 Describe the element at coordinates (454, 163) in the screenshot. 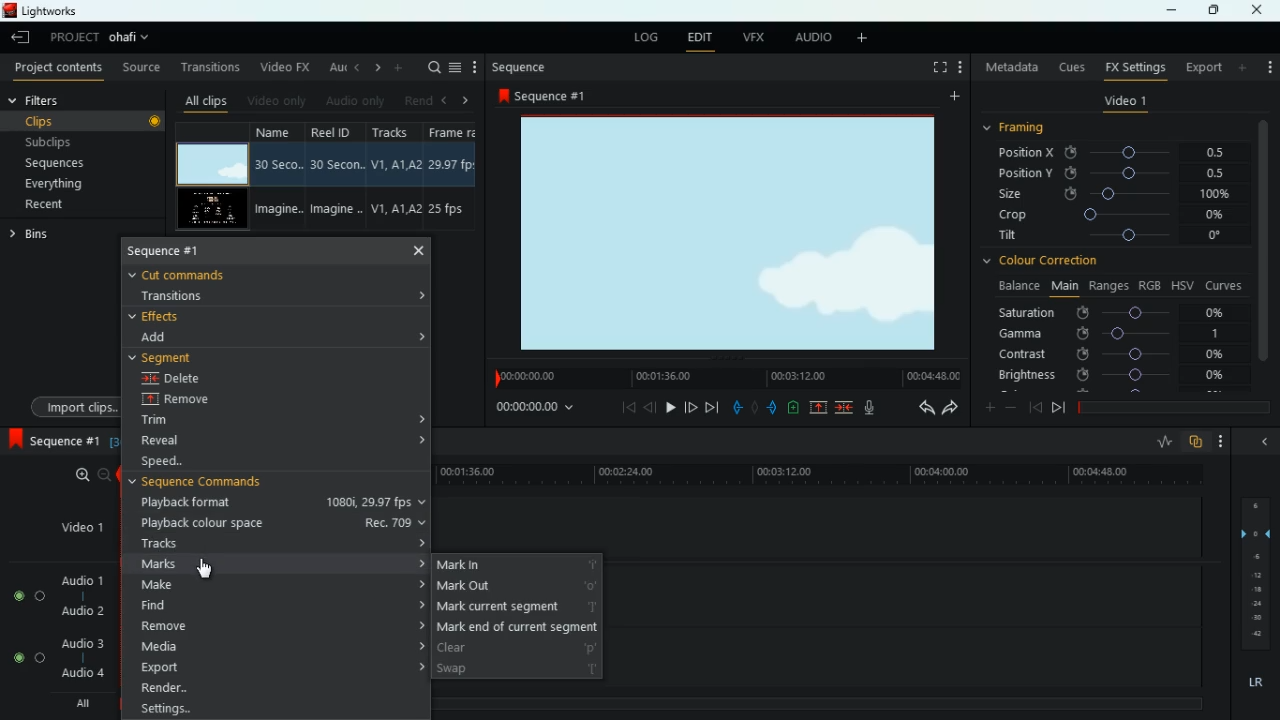

I see `29.97 fbs` at that location.